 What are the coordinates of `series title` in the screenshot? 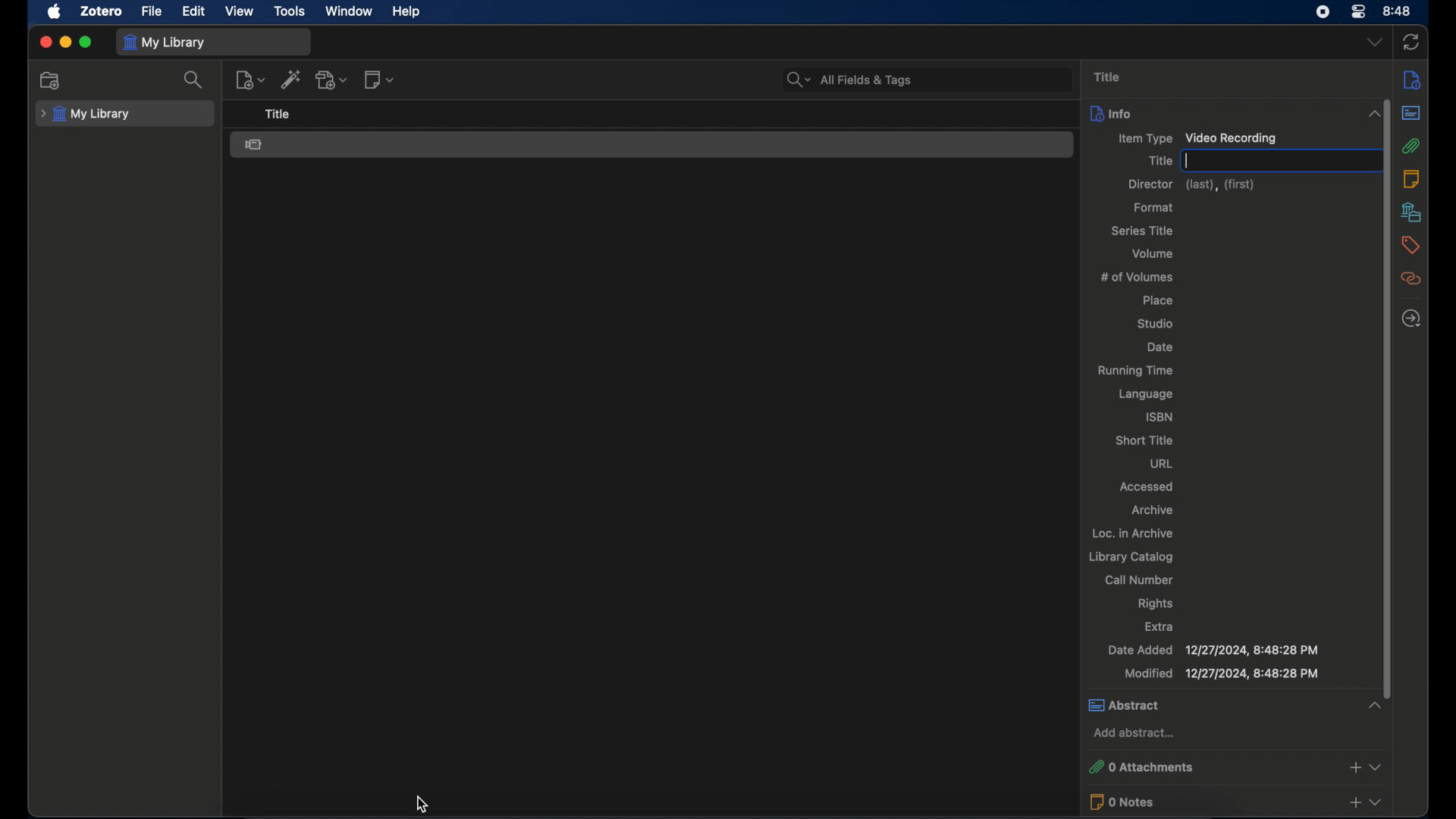 It's located at (1143, 231).